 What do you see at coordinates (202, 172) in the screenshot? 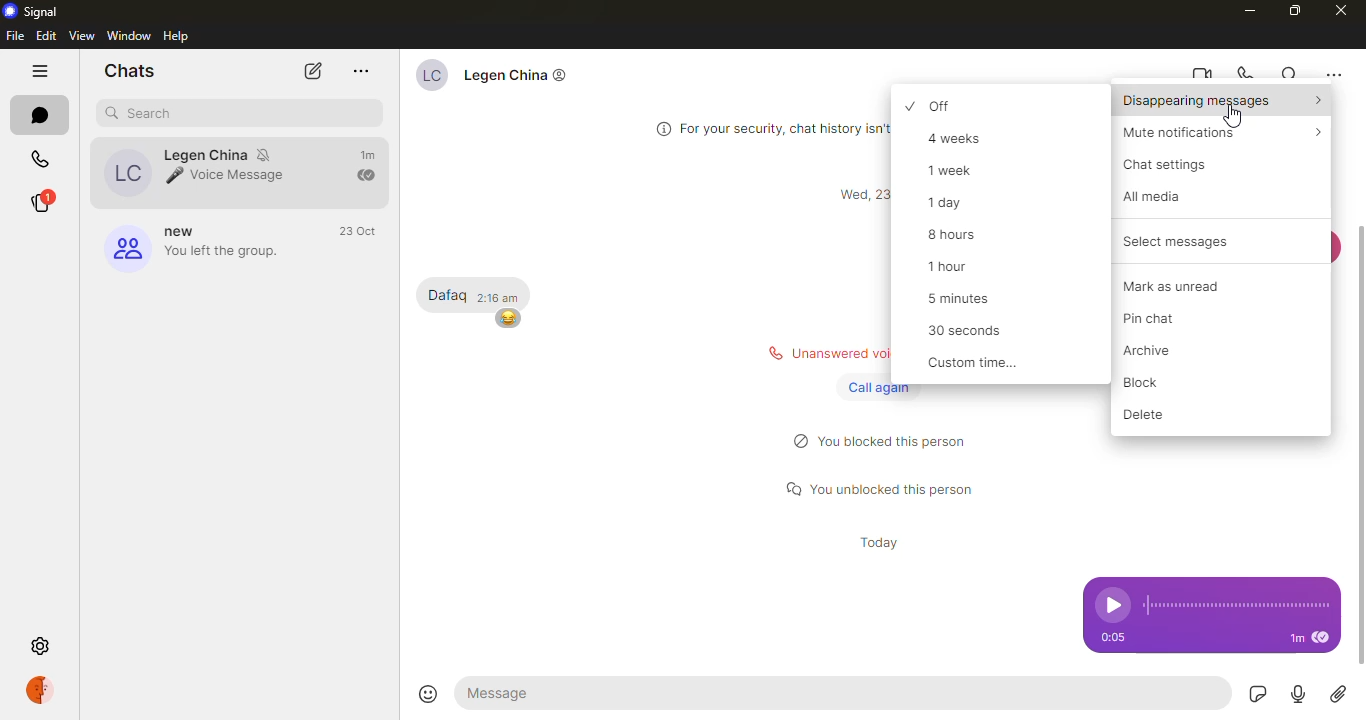
I see `contact` at bounding box center [202, 172].